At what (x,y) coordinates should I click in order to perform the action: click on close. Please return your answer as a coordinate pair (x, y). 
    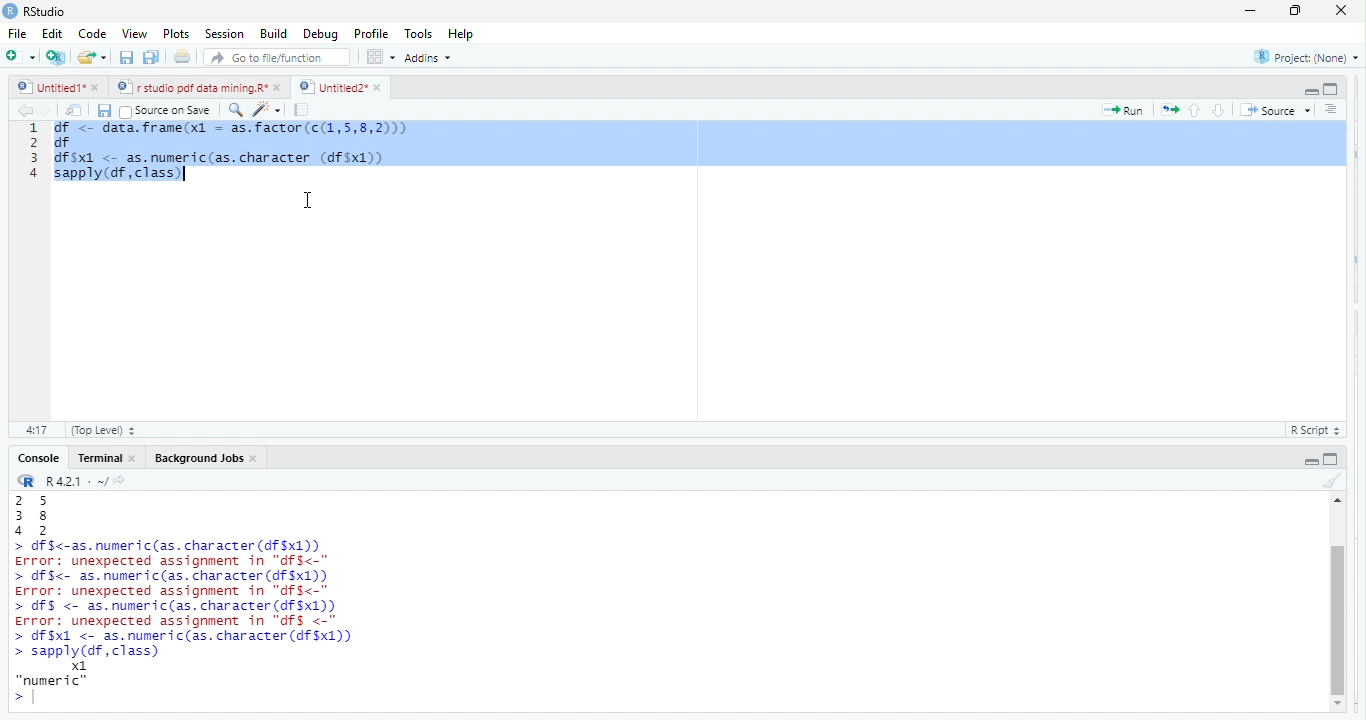
    Looking at the image, I should click on (381, 86).